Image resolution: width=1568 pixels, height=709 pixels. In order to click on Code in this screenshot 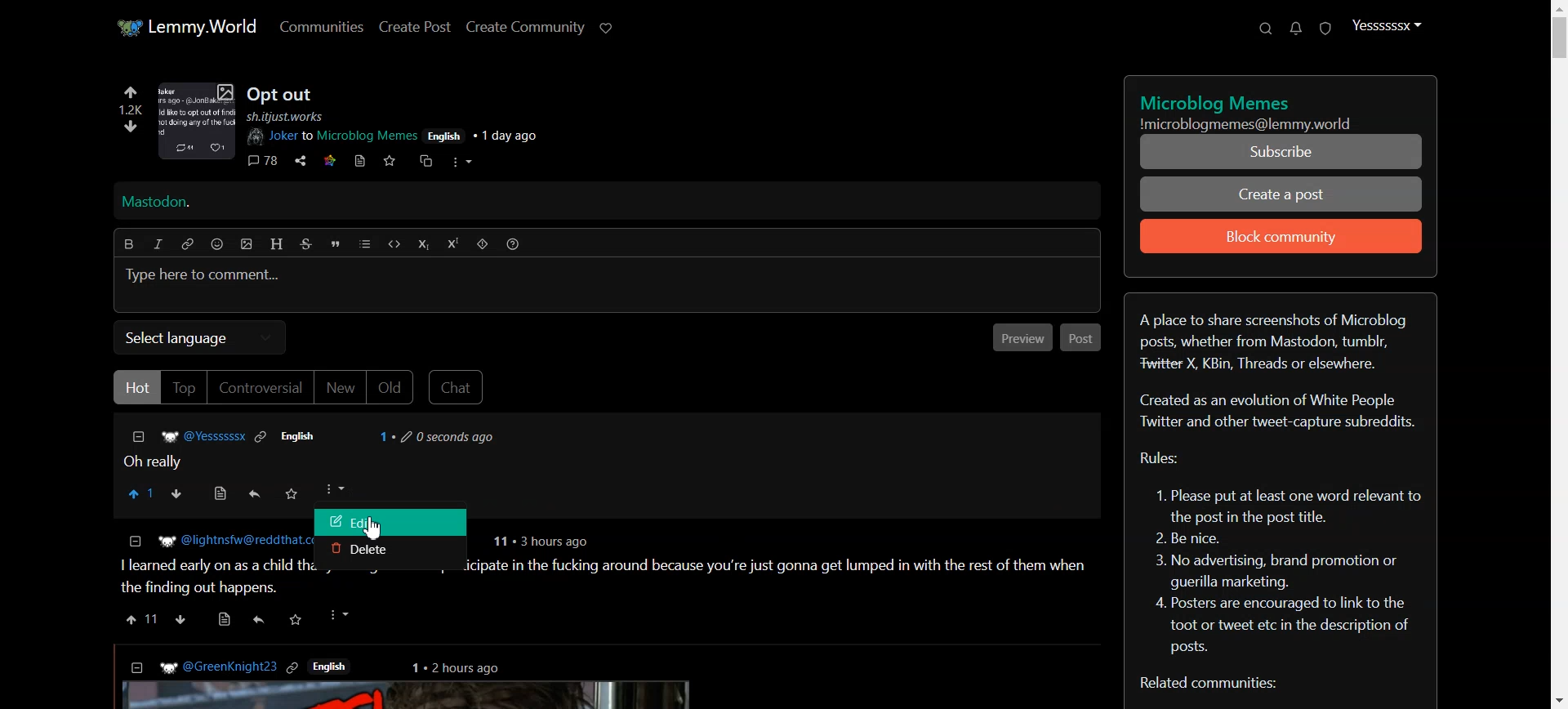, I will do `click(393, 244)`.